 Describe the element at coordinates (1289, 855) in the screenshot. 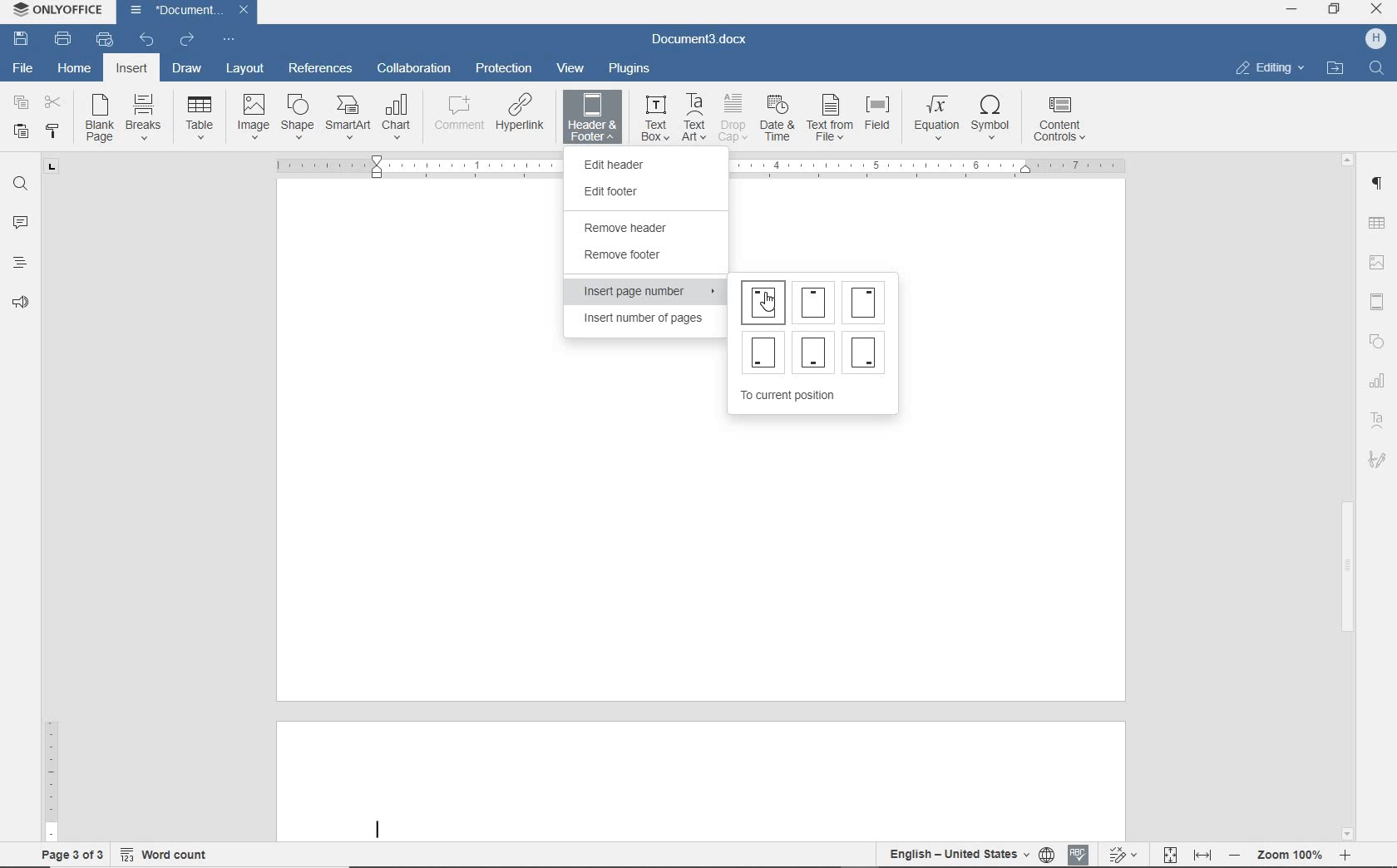

I see `Zoom 100%` at that location.